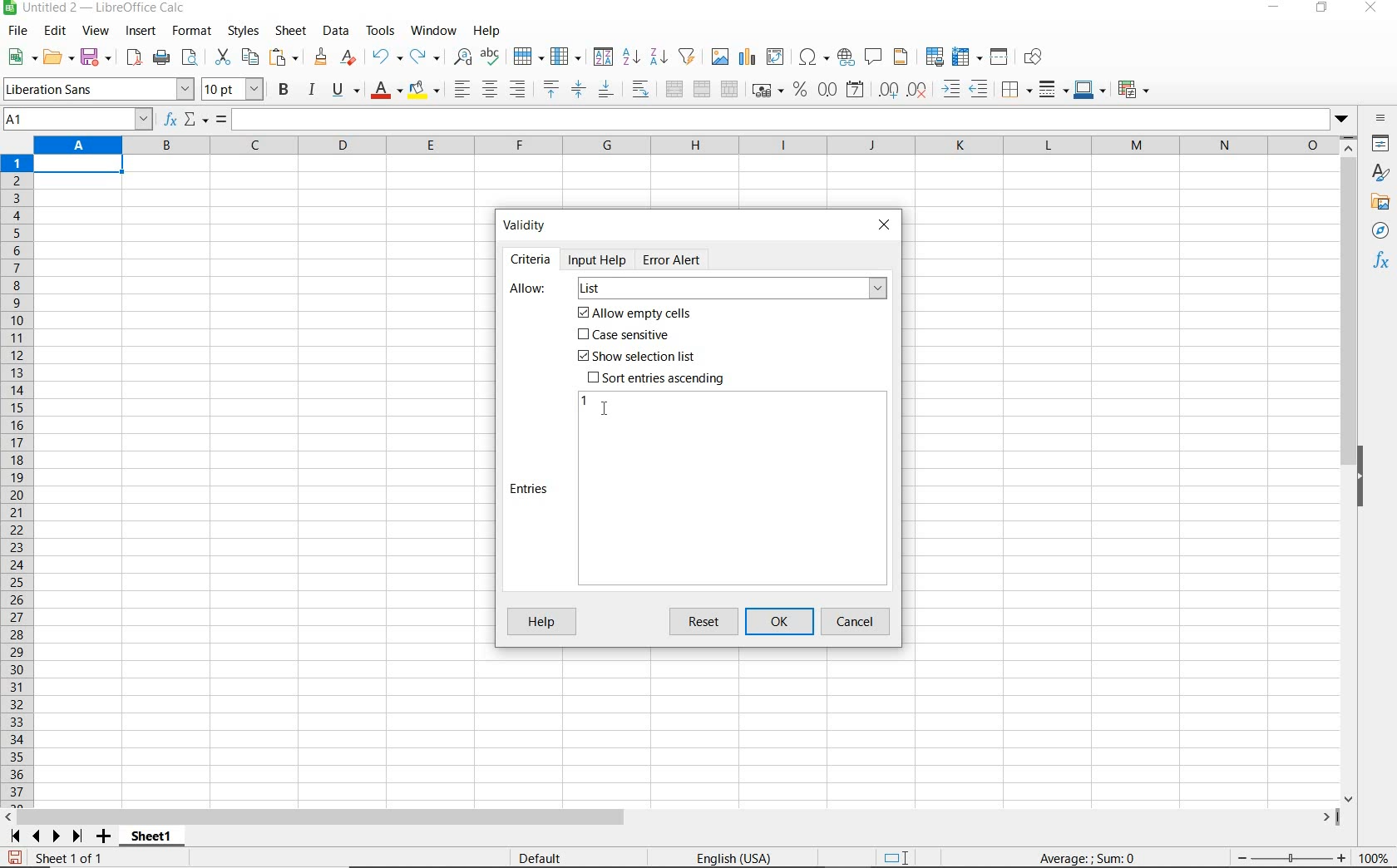 This screenshot has width=1397, height=868. Describe the element at coordinates (671, 817) in the screenshot. I see `scrollbar` at that location.